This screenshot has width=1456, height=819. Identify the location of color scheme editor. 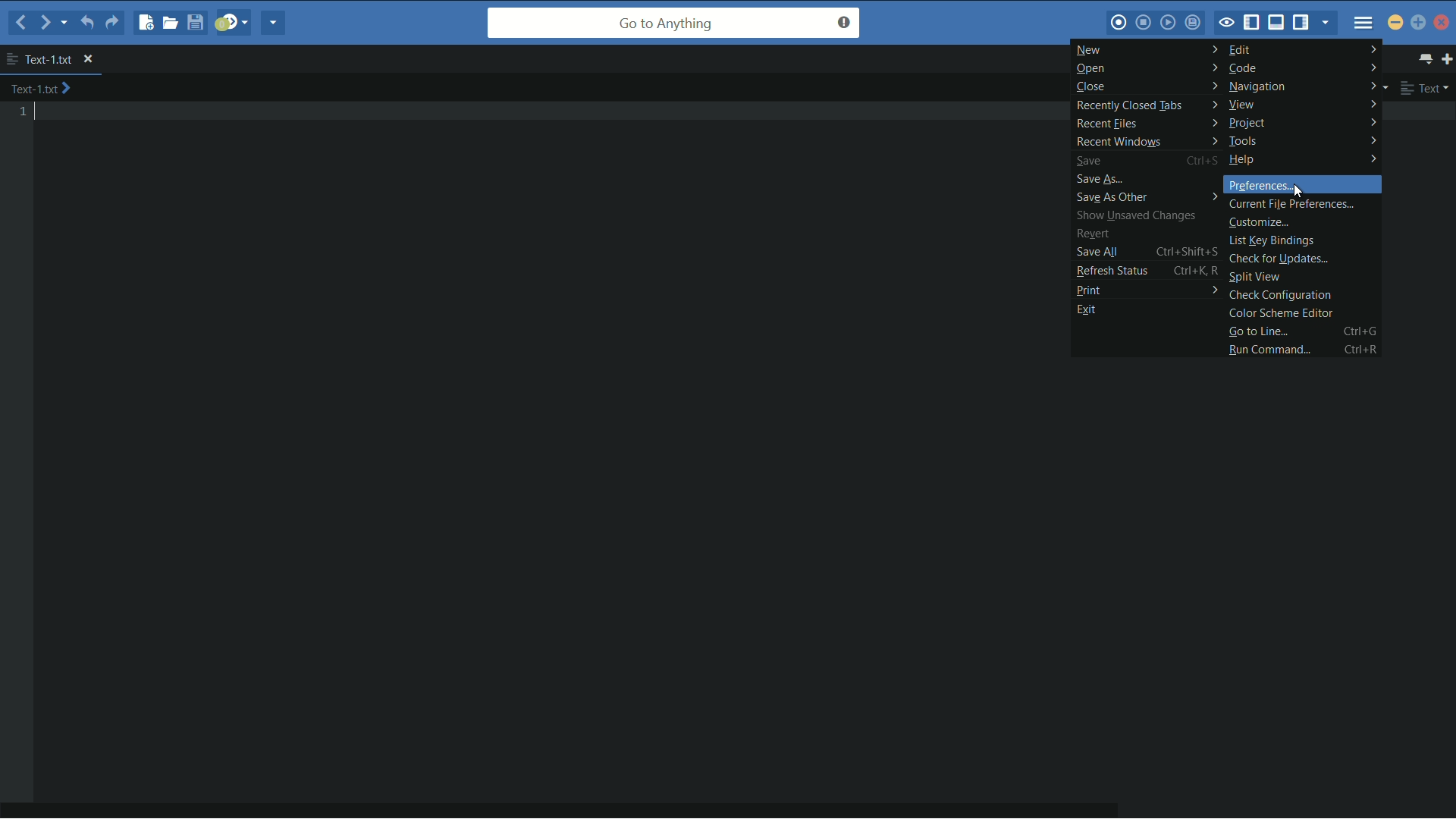
(1281, 312).